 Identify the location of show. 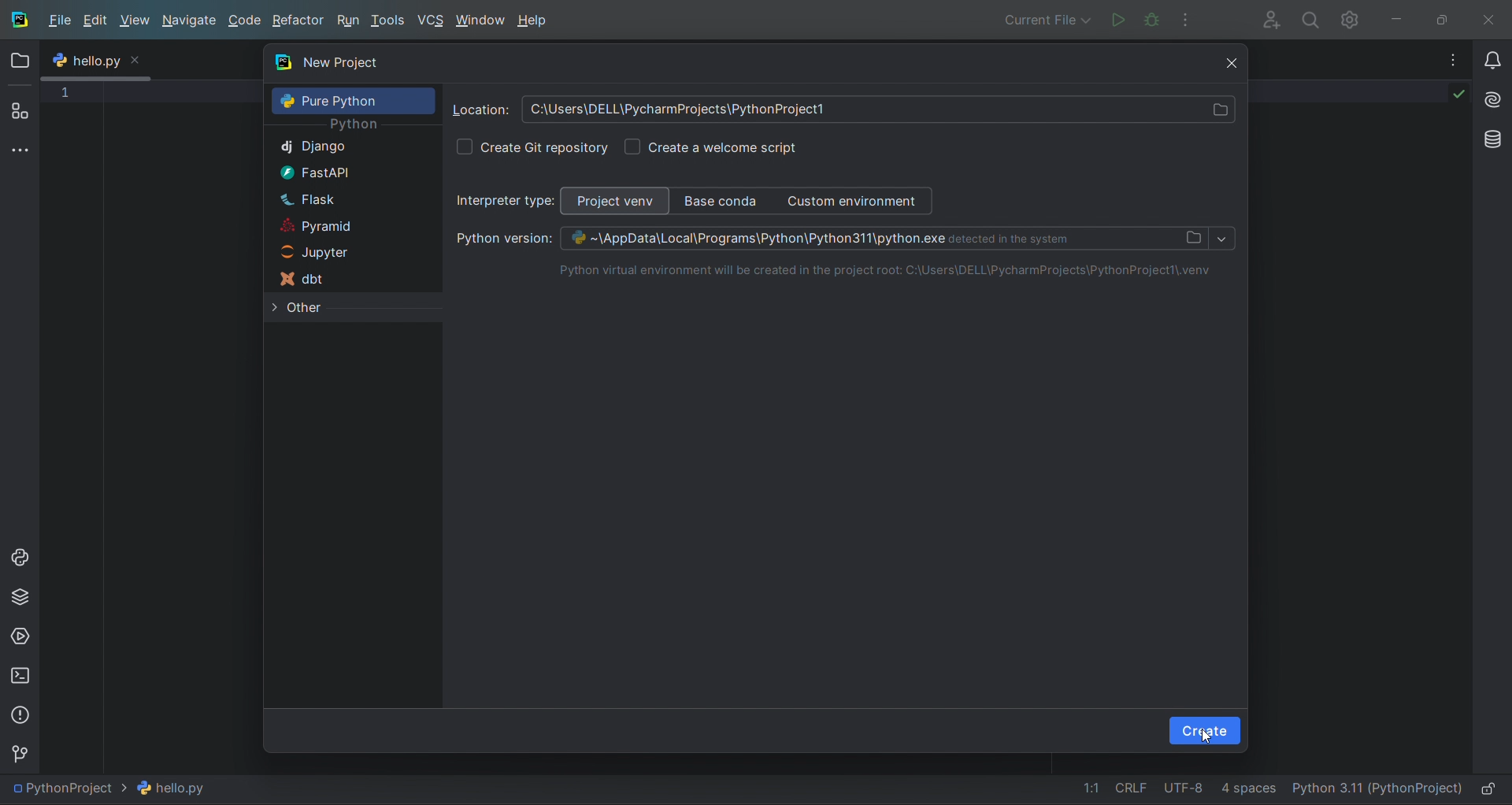
(1222, 239).